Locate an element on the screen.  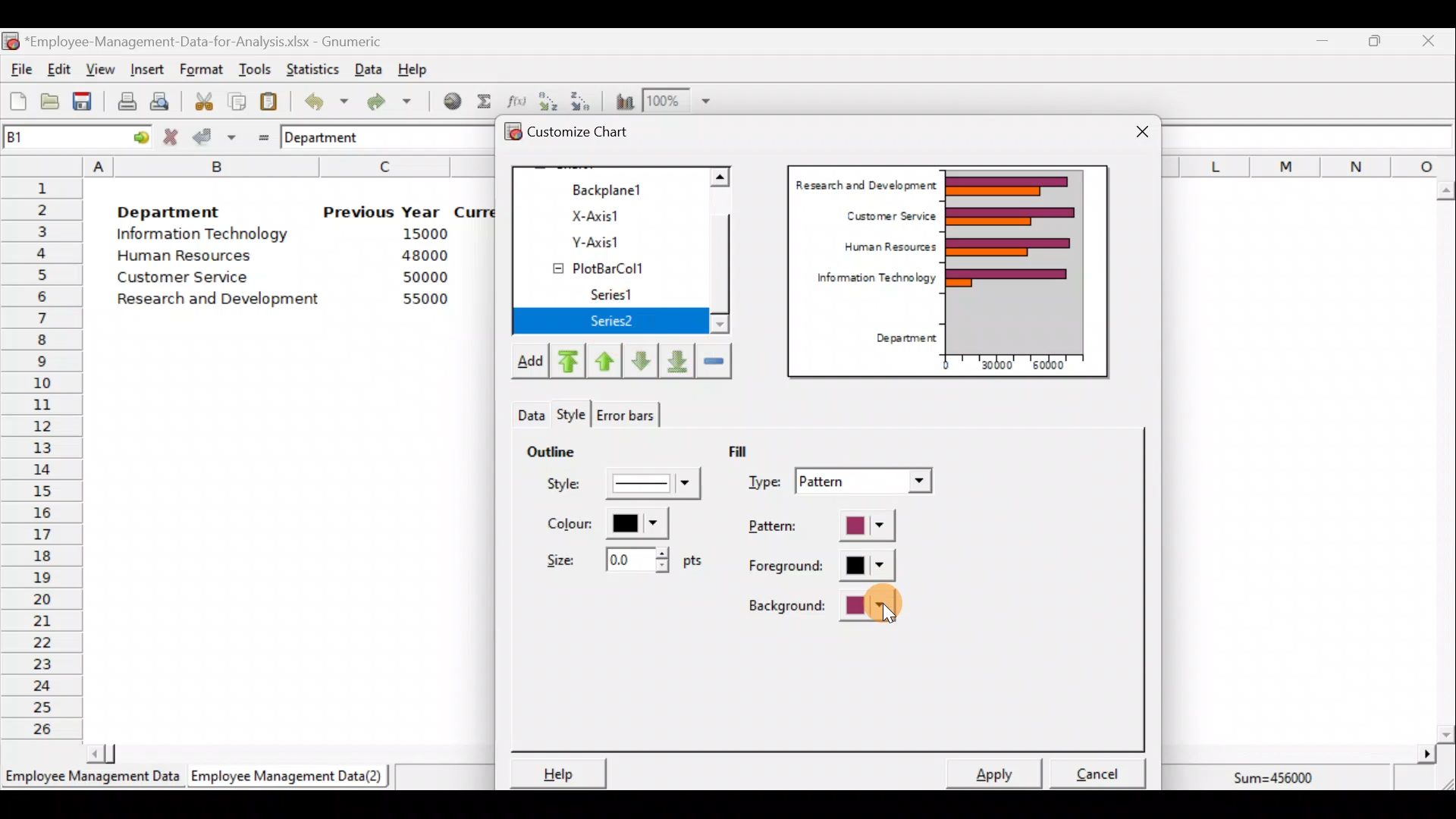
Theme is located at coordinates (576, 415).